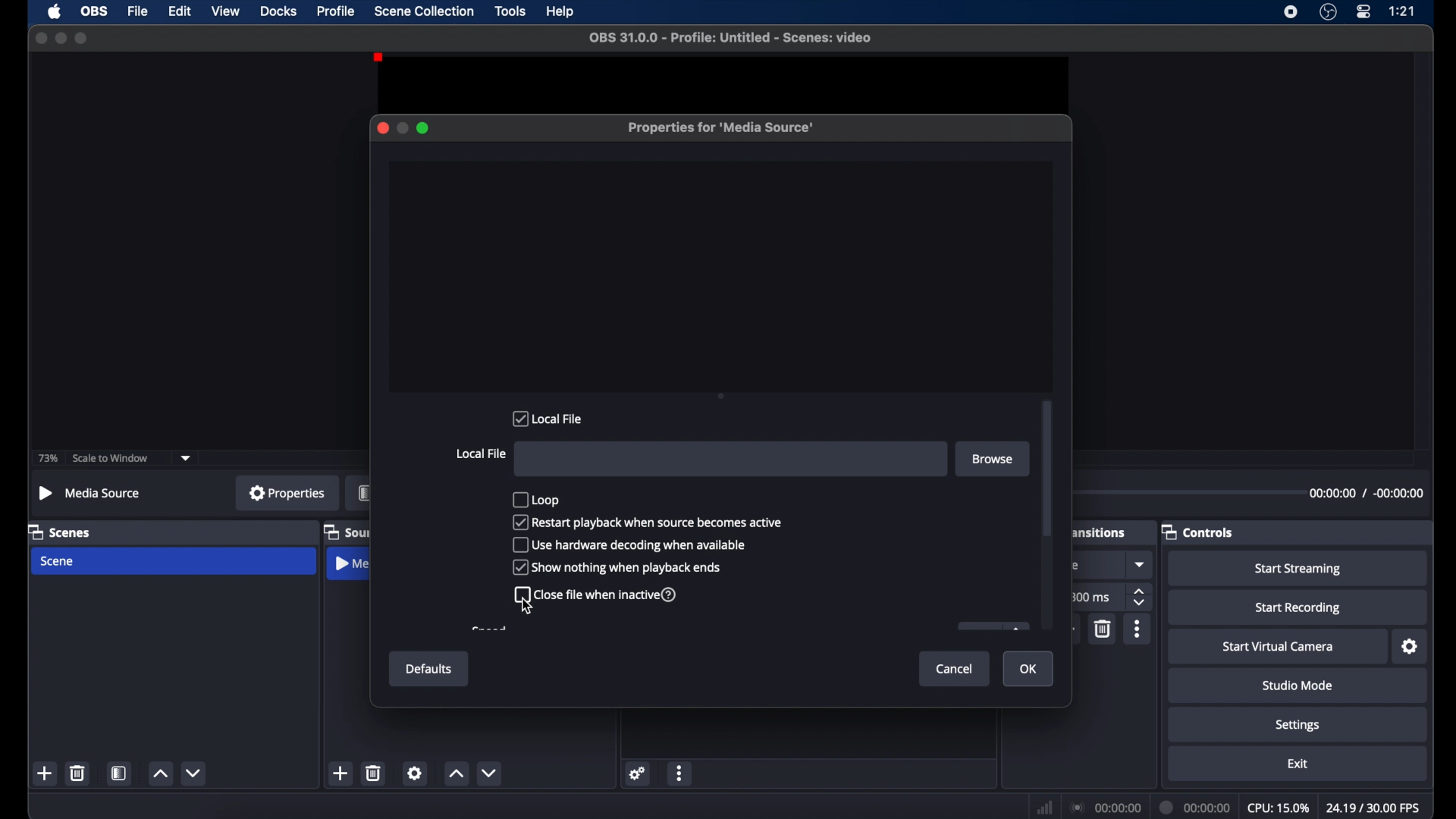 The image size is (1456, 819). What do you see at coordinates (364, 492) in the screenshot?
I see `filters` at bounding box center [364, 492].